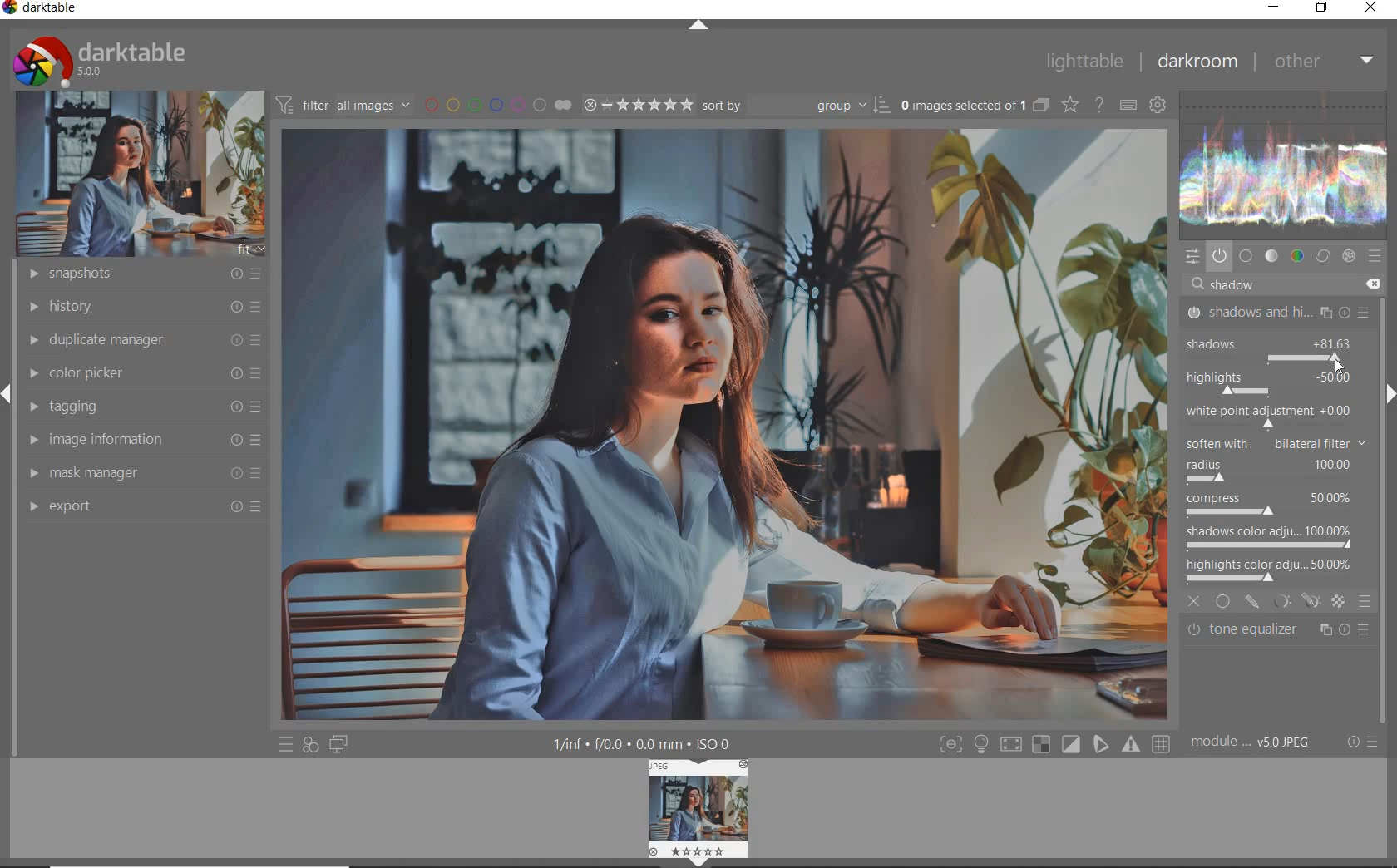  What do you see at coordinates (1335, 345) in the screenshot?
I see `show increased to 81.63` at bounding box center [1335, 345].